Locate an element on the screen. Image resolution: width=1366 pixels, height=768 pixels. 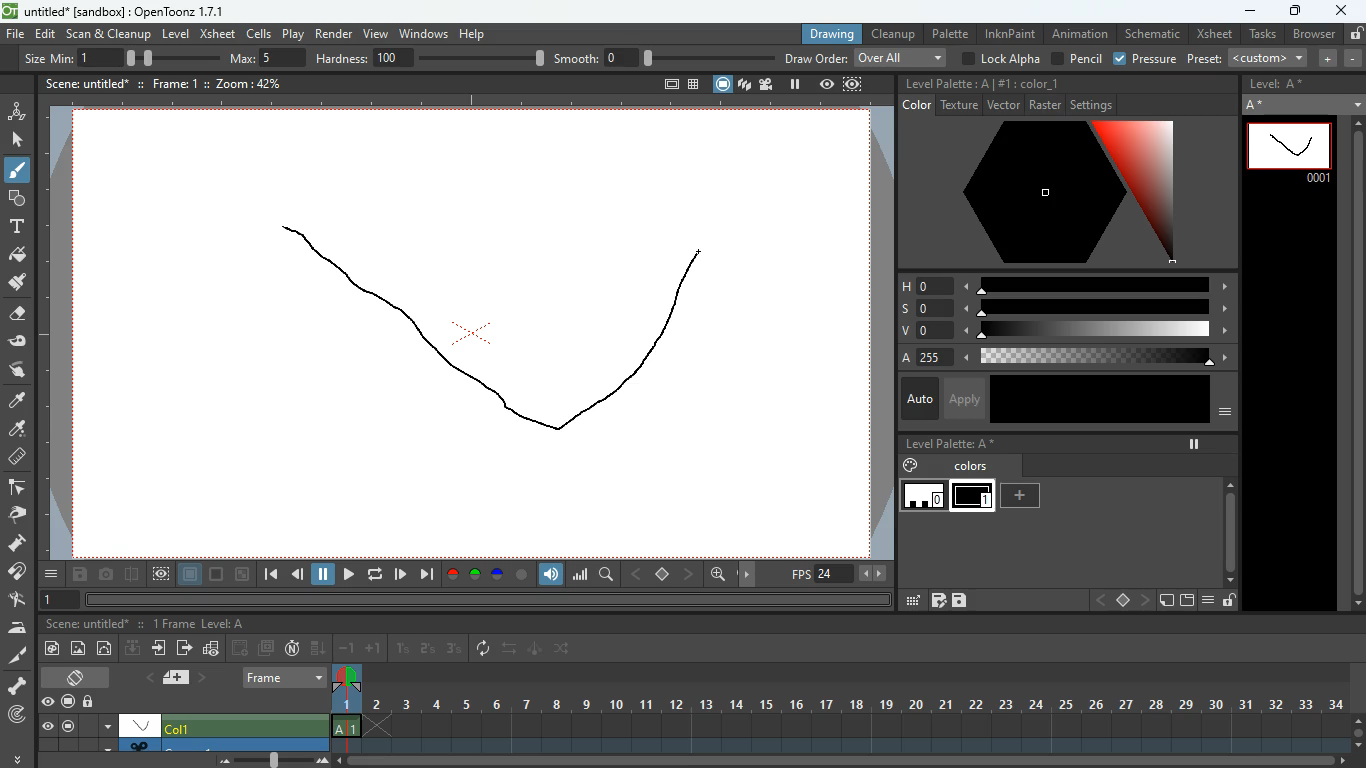
frame is located at coordinates (286, 677).